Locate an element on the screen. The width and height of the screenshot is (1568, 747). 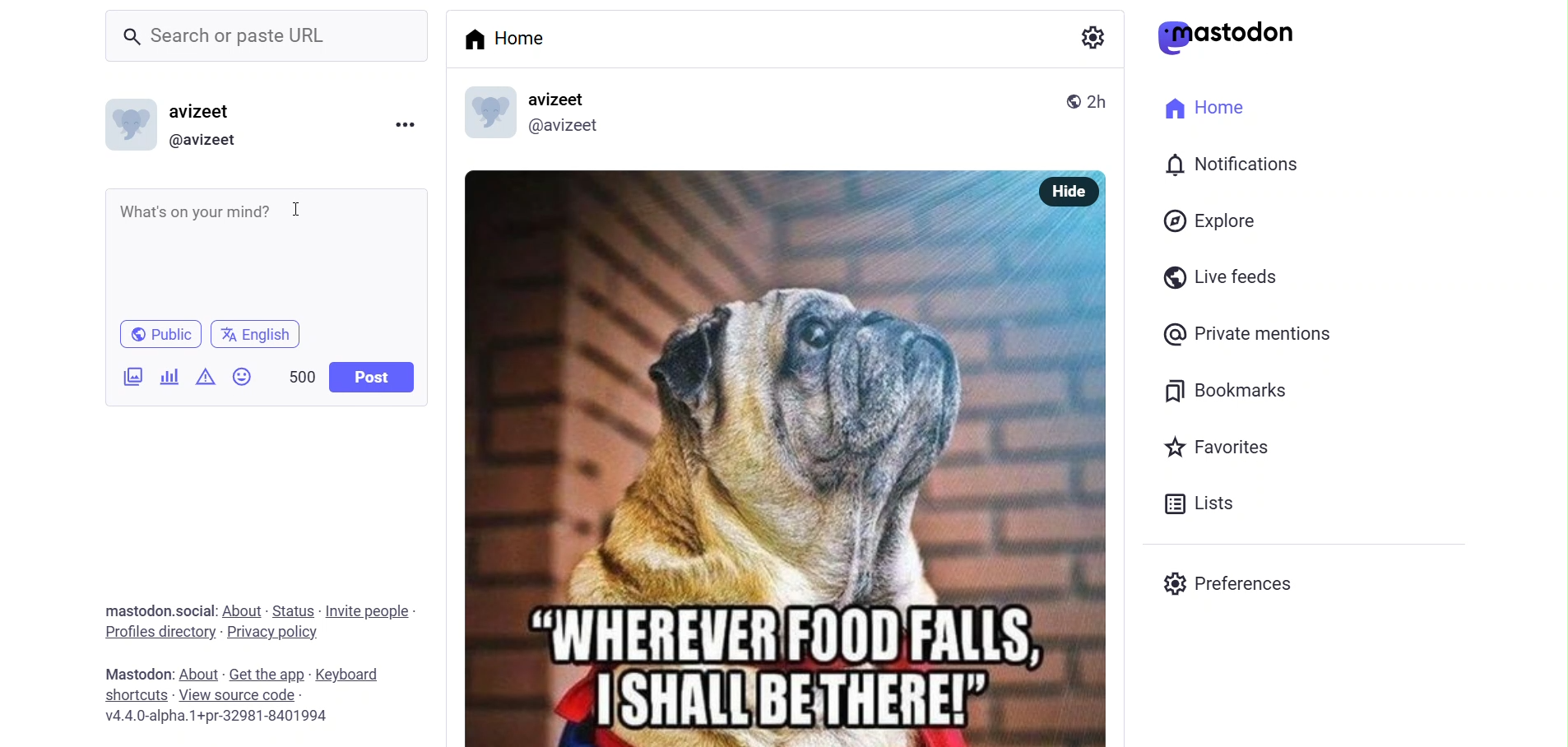
display picture is located at coordinates (128, 123).